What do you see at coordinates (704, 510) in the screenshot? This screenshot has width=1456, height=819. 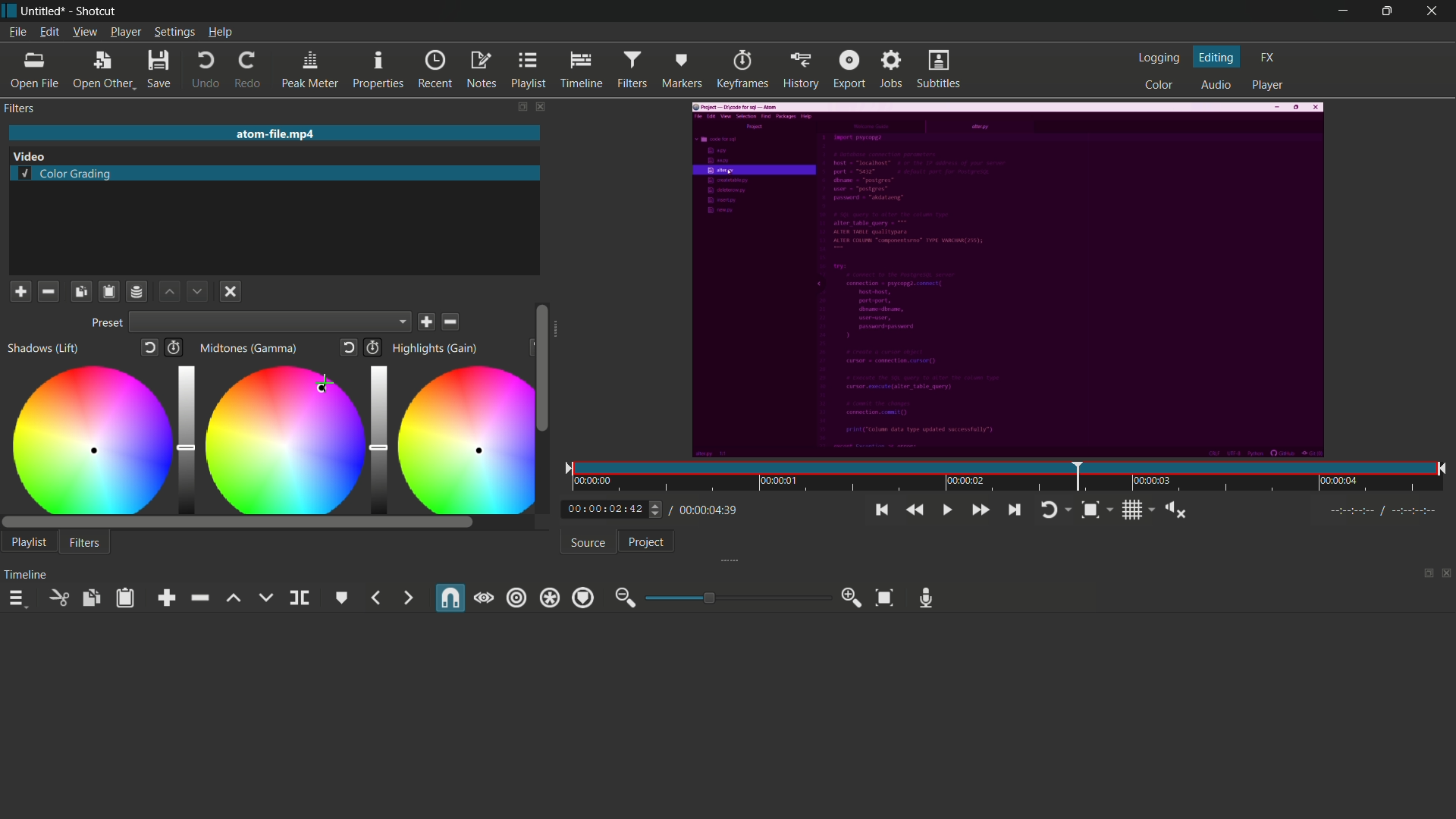 I see `total time` at bounding box center [704, 510].